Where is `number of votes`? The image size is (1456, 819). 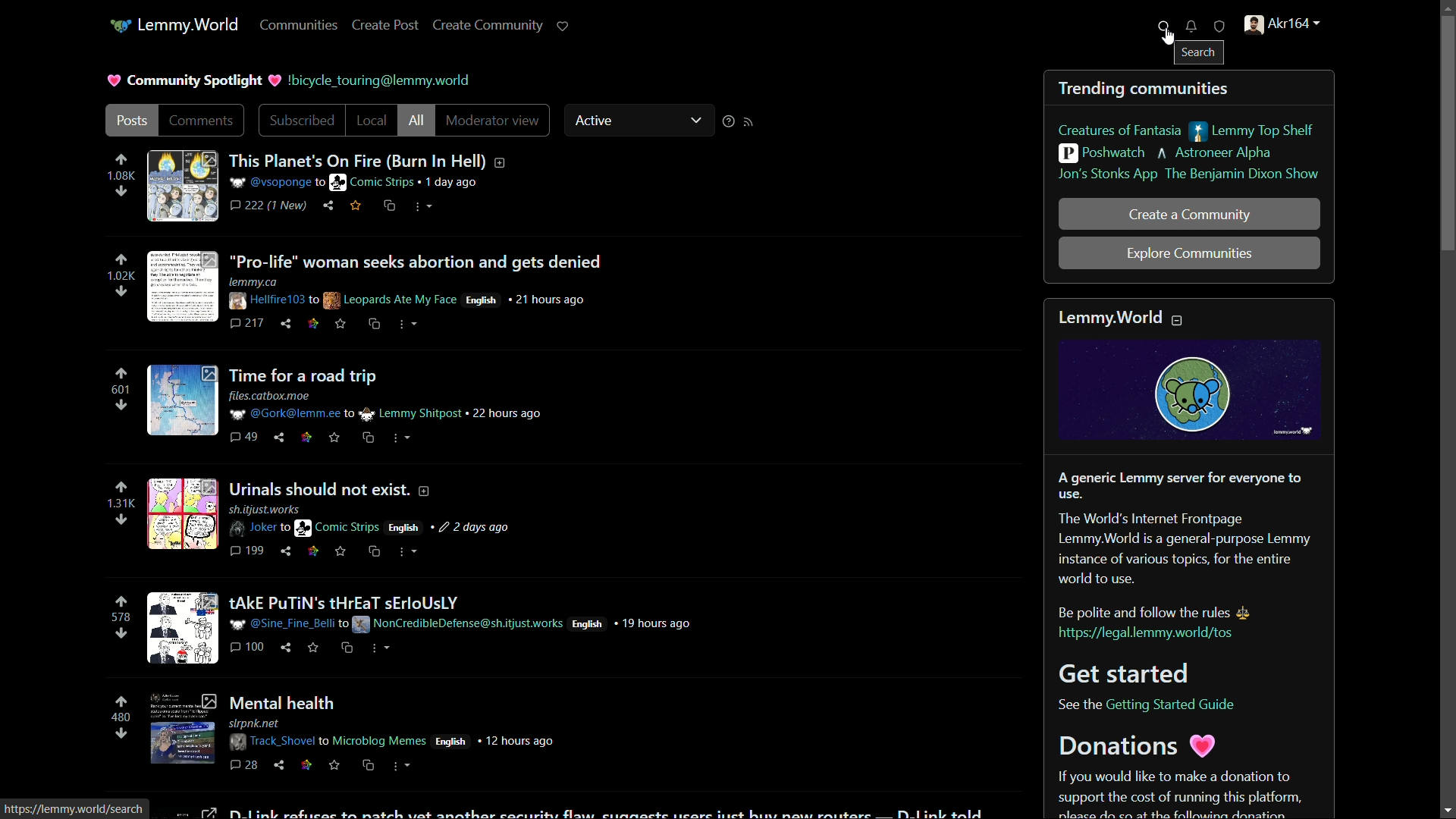
number of votes is located at coordinates (121, 504).